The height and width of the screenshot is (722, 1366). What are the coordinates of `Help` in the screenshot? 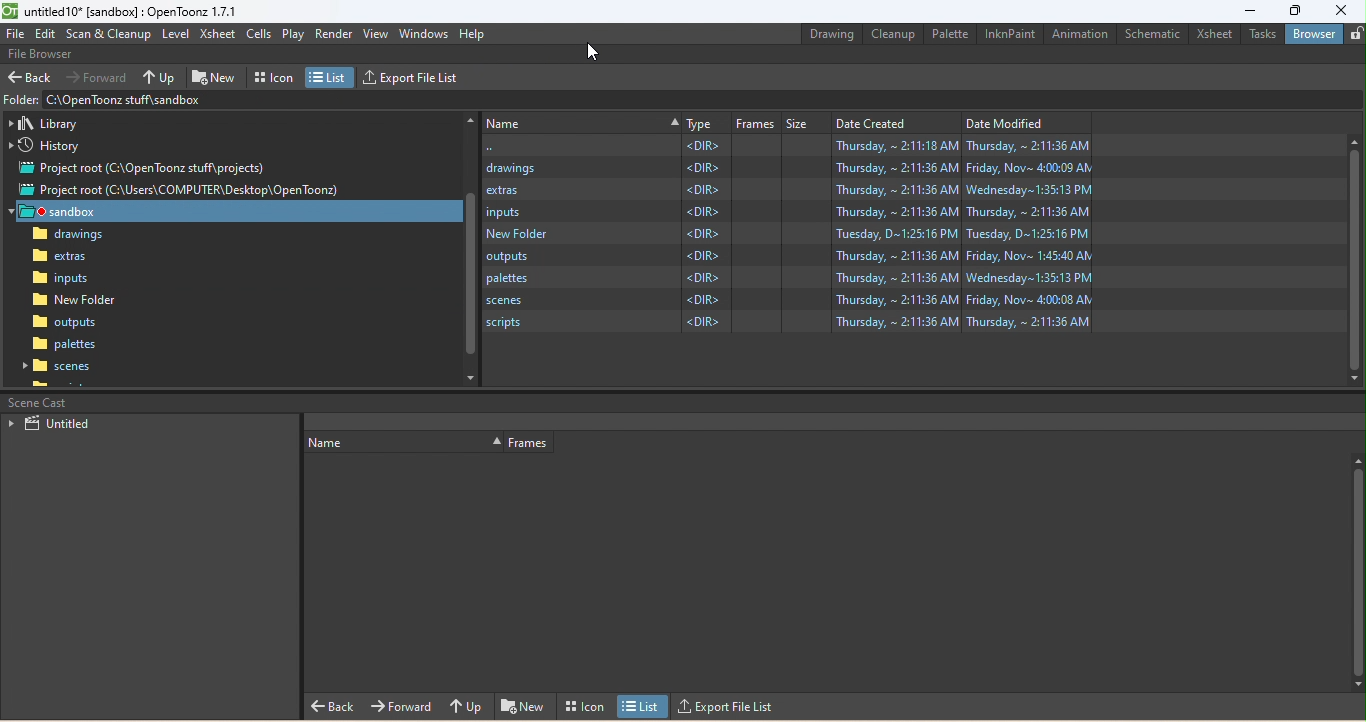 It's located at (473, 34).